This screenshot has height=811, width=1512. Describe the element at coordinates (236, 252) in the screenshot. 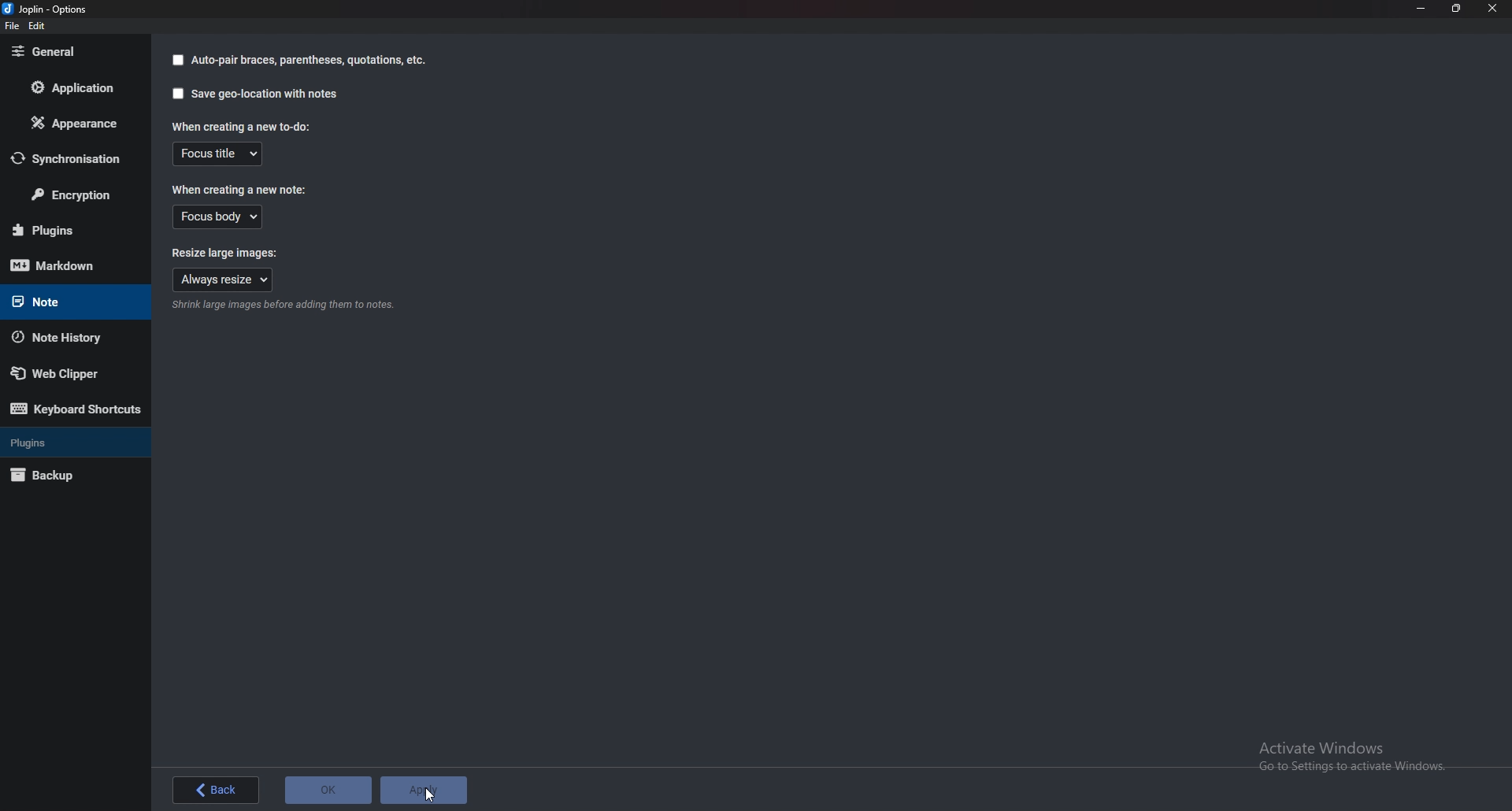

I see `Resize large images` at that location.